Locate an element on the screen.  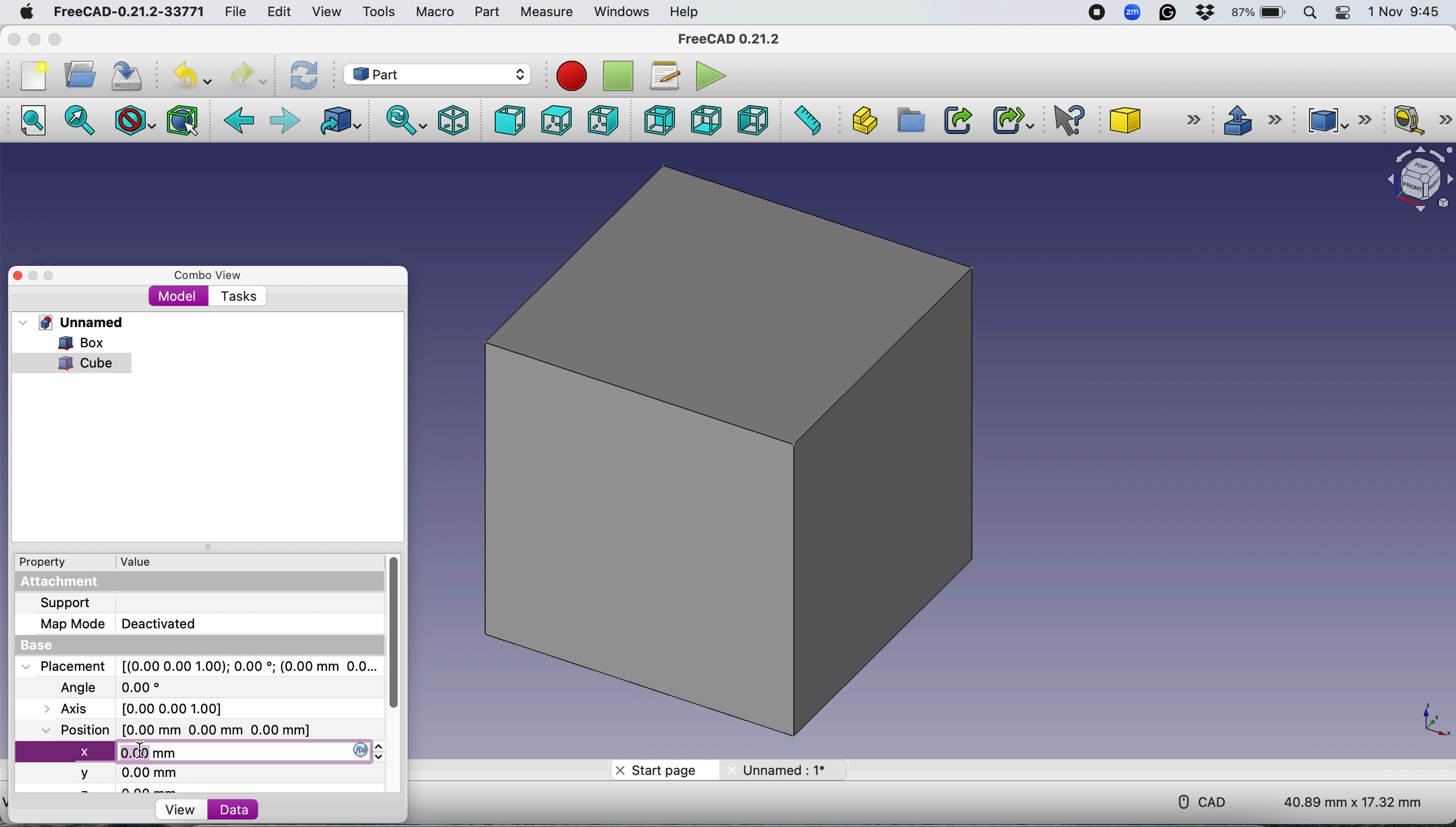
View is located at coordinates (326, 12).